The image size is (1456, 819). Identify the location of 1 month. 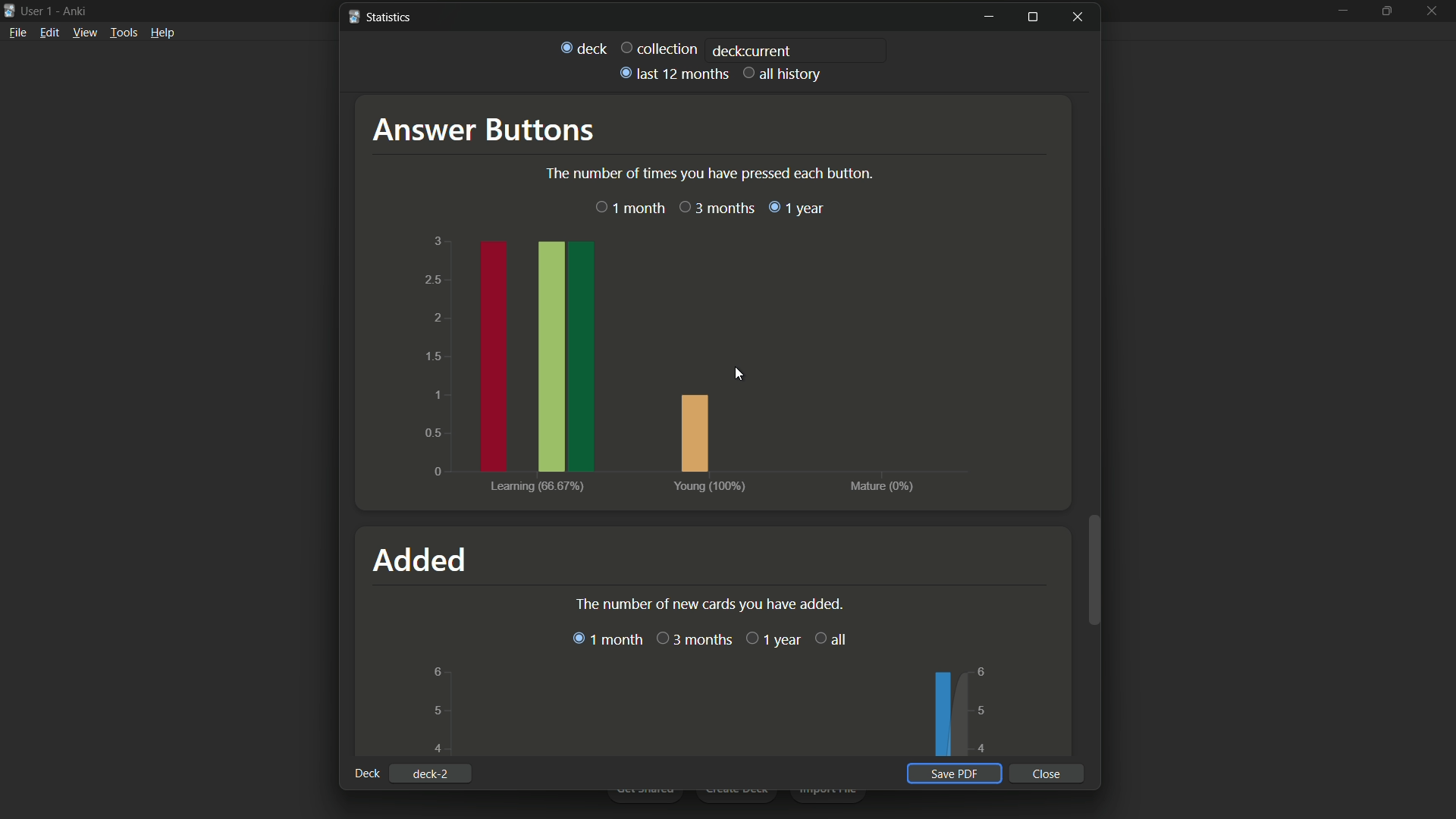
(629, 209).